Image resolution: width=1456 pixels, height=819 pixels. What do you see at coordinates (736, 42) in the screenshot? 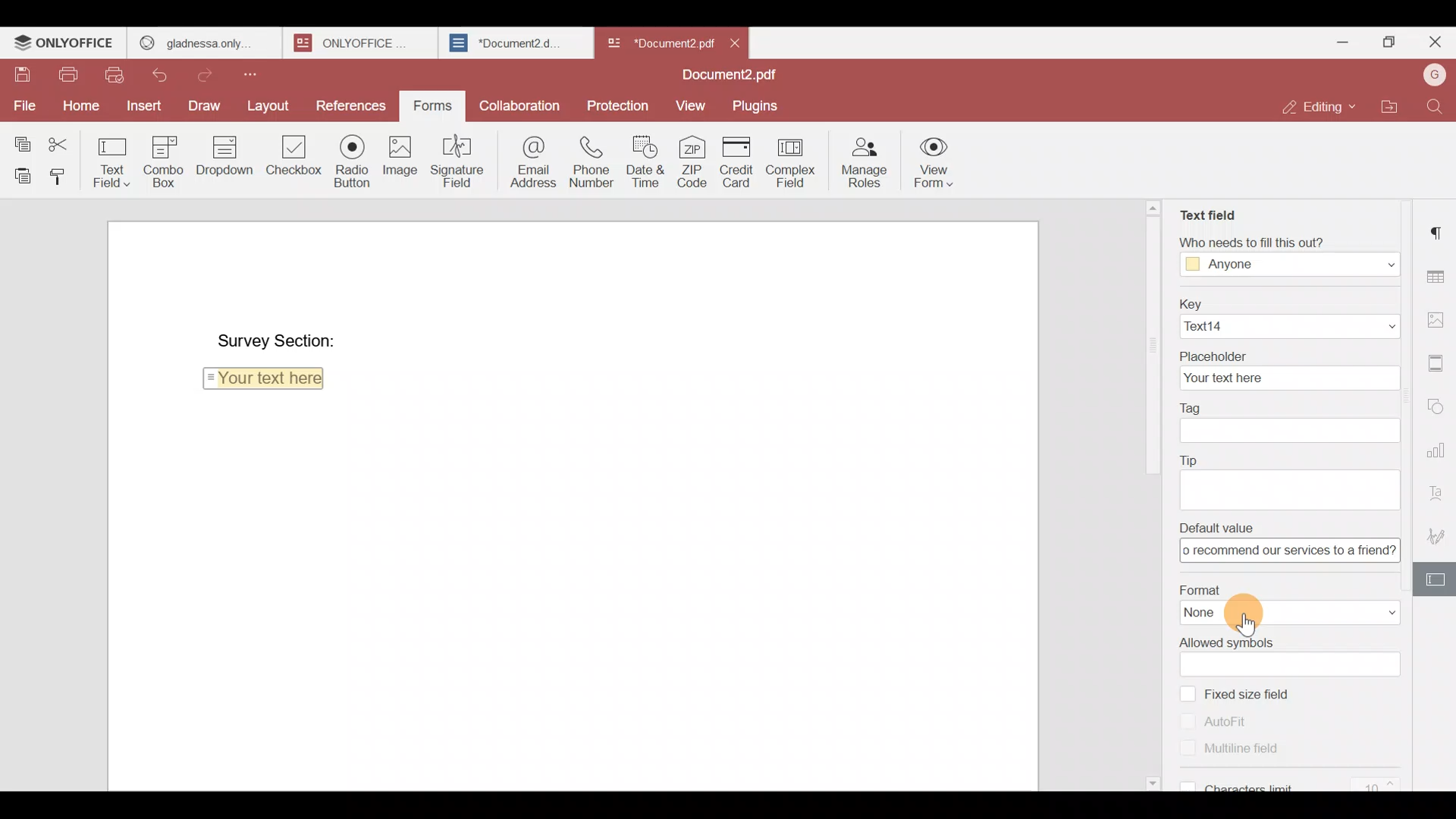
I see `Close` at bounding box center [736, 42].